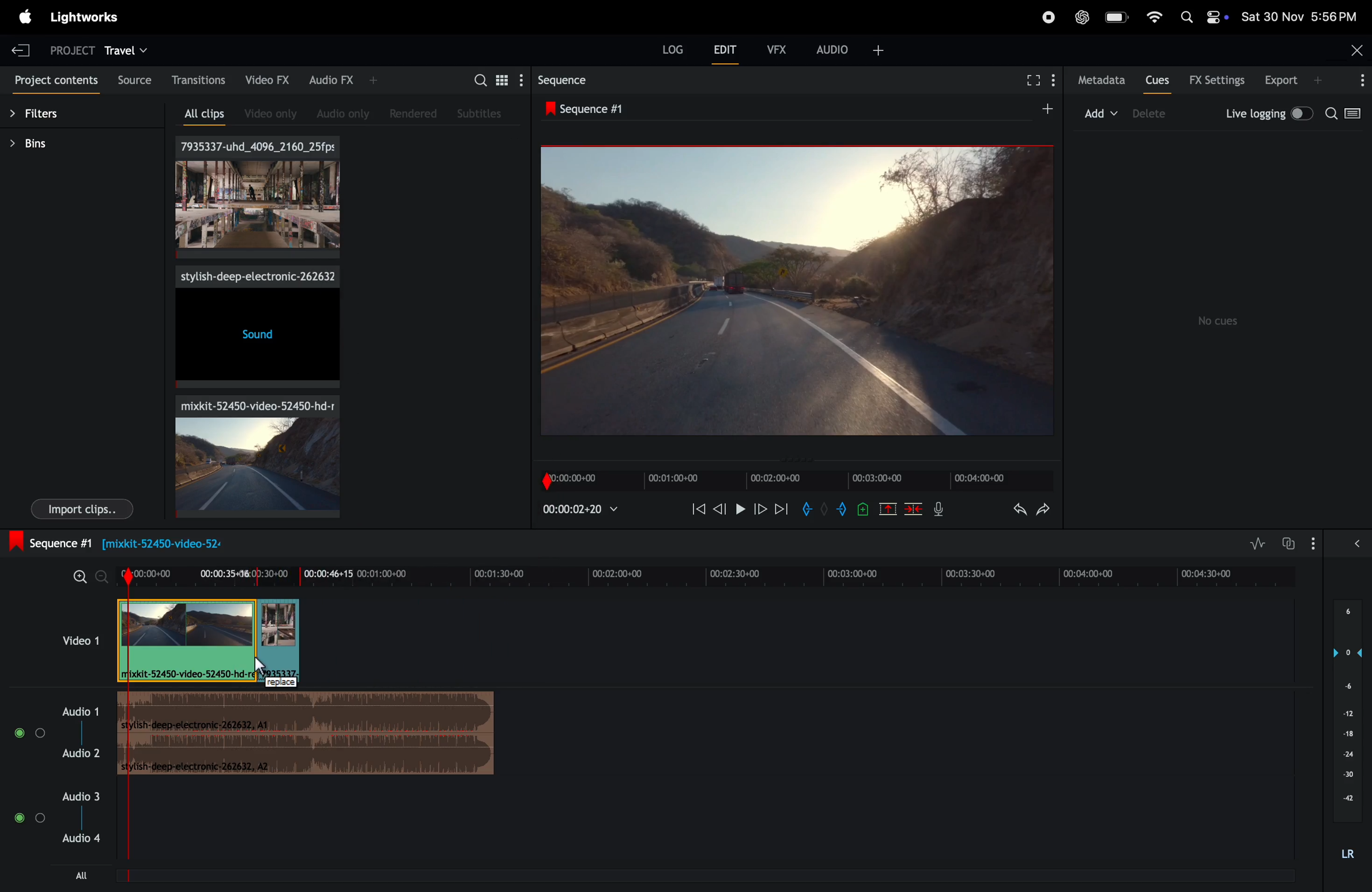 The width and height of the screenshot is (1372, 892). I want to click on transactions, so click(198, 81).